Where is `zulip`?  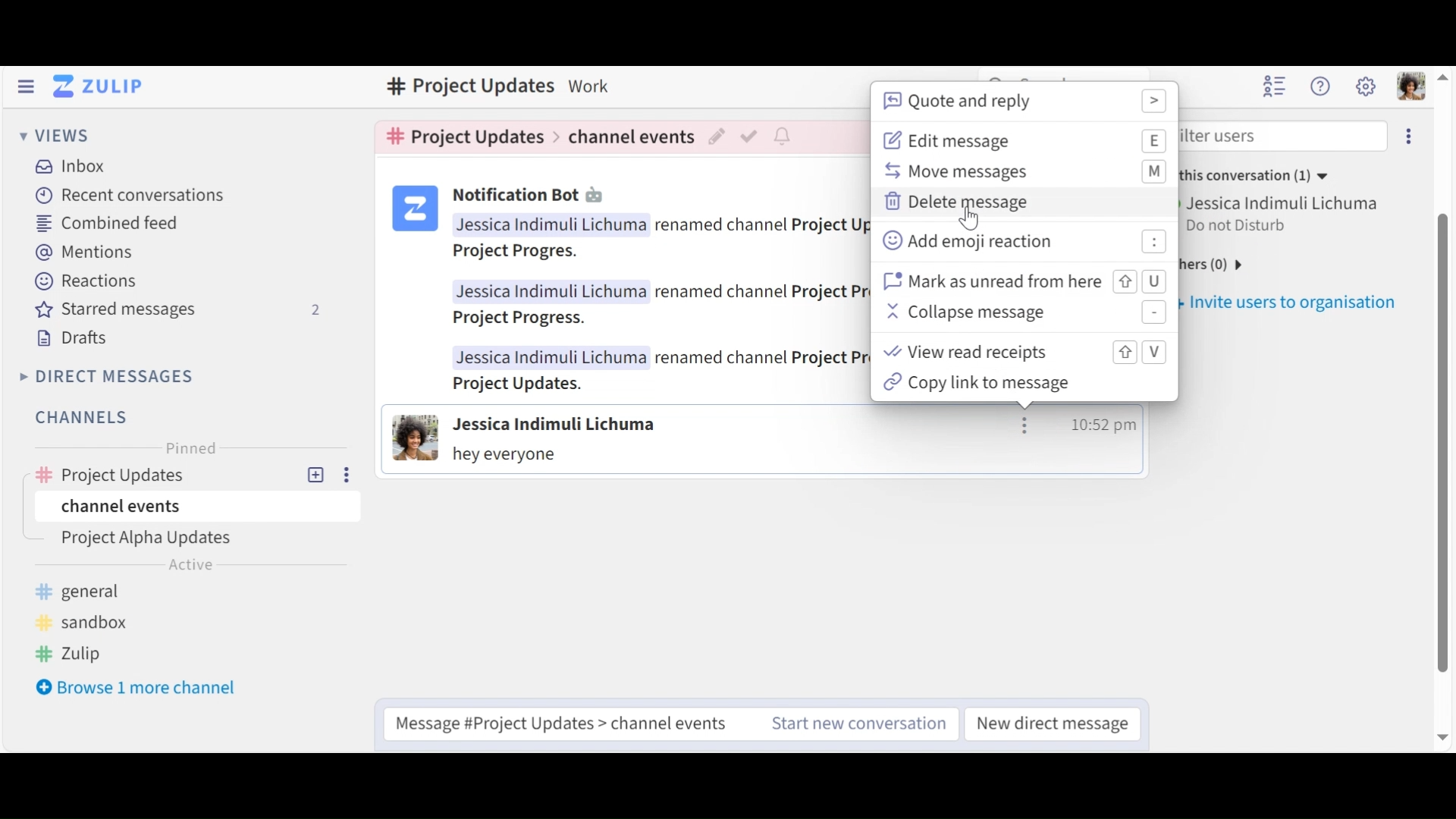
zulip is located at coordinates (72, 651).